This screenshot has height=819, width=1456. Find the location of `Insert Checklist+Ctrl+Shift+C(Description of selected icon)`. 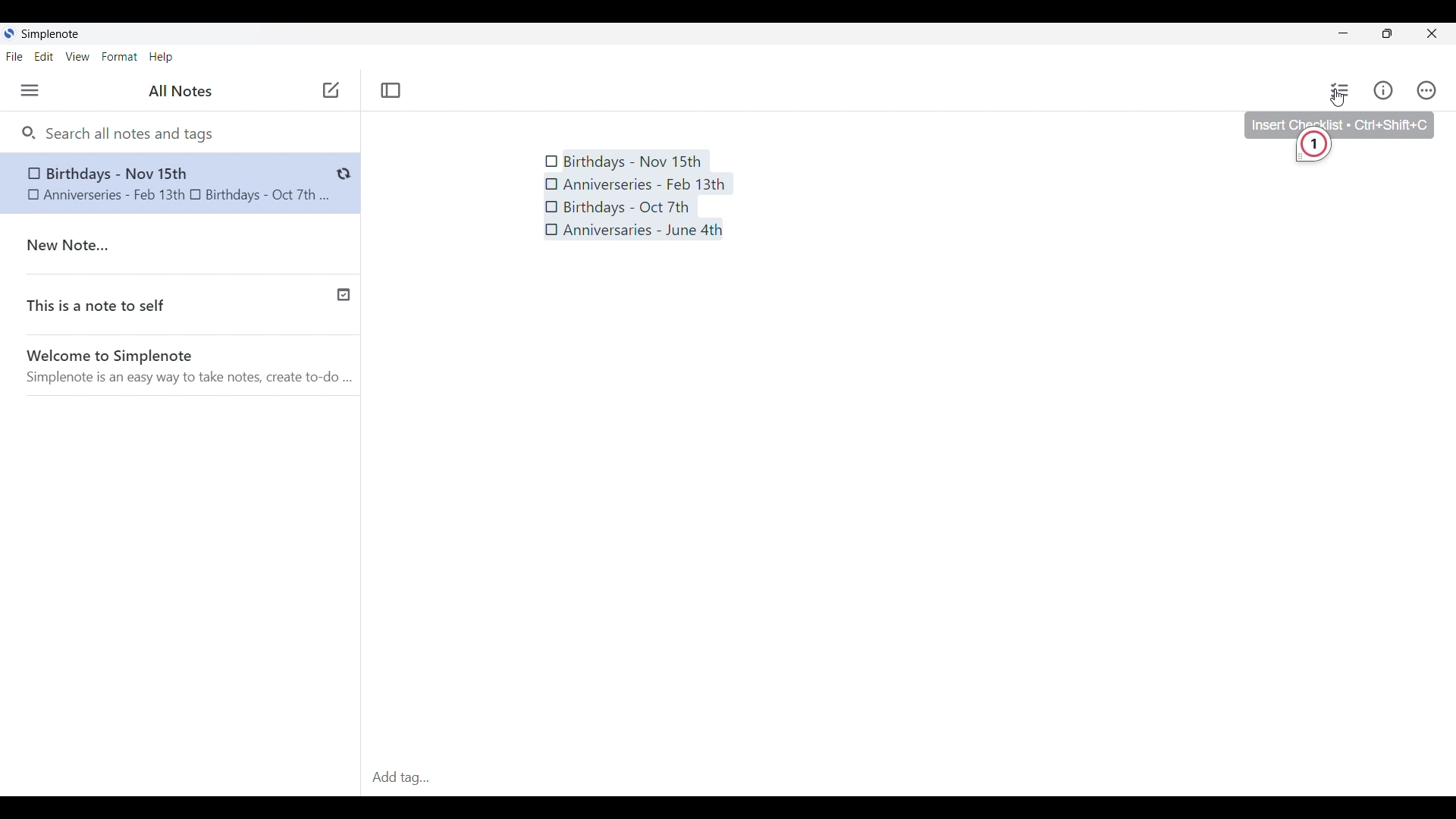

Insert Checklist+Ctrl+Shift+C(Description of selected icon) is located at coordinates (1339, 121).